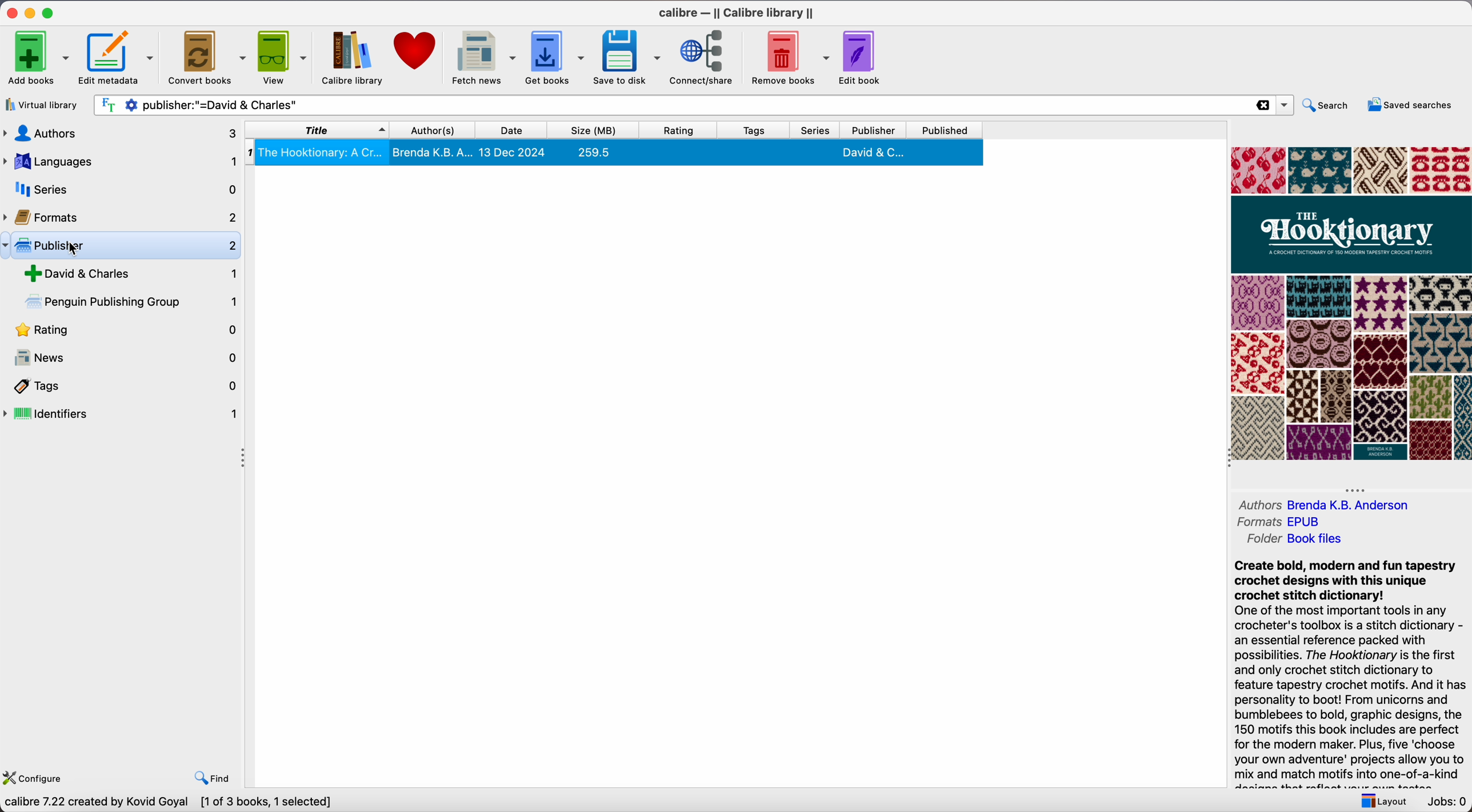 The width and height of the screenshot is (1472, 812). I want to click on edit metadata, so click(119, 58).